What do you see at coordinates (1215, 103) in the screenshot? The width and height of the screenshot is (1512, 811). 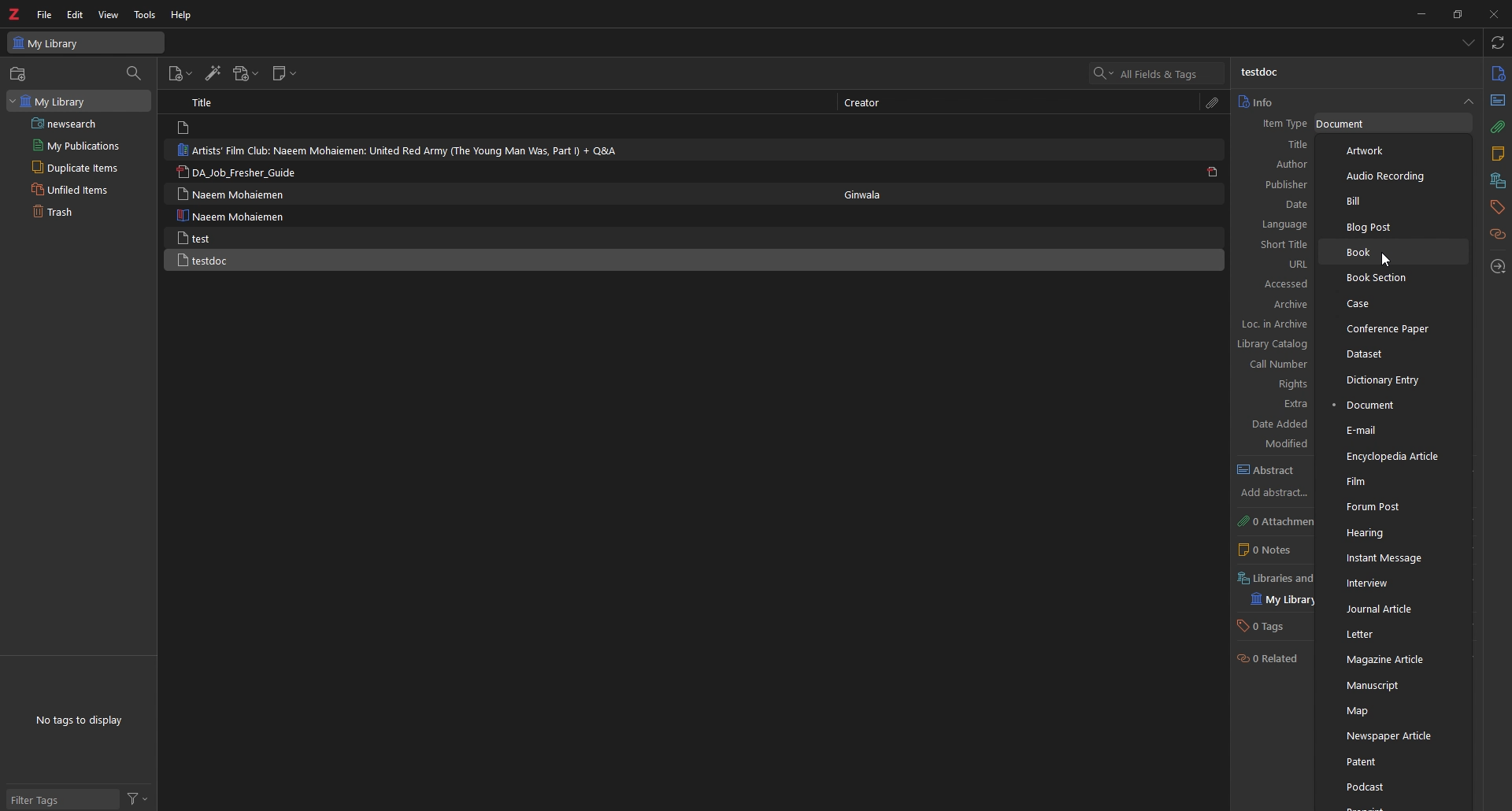 I see `attachment` at bounding box center [1215, 103].